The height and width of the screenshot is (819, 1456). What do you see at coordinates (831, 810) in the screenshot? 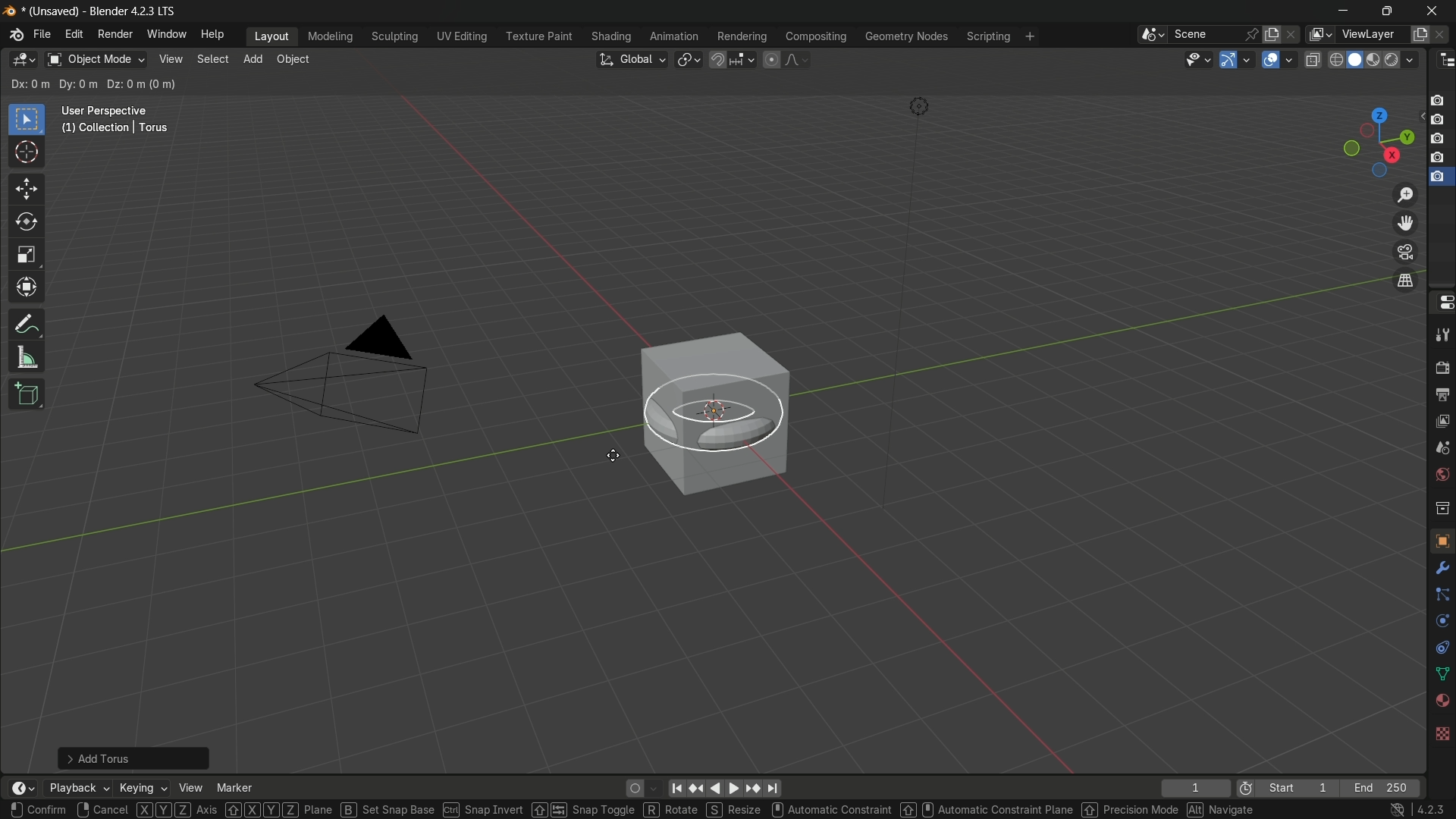
I see `Automatic Constraint` at bounding box center [831, 810].